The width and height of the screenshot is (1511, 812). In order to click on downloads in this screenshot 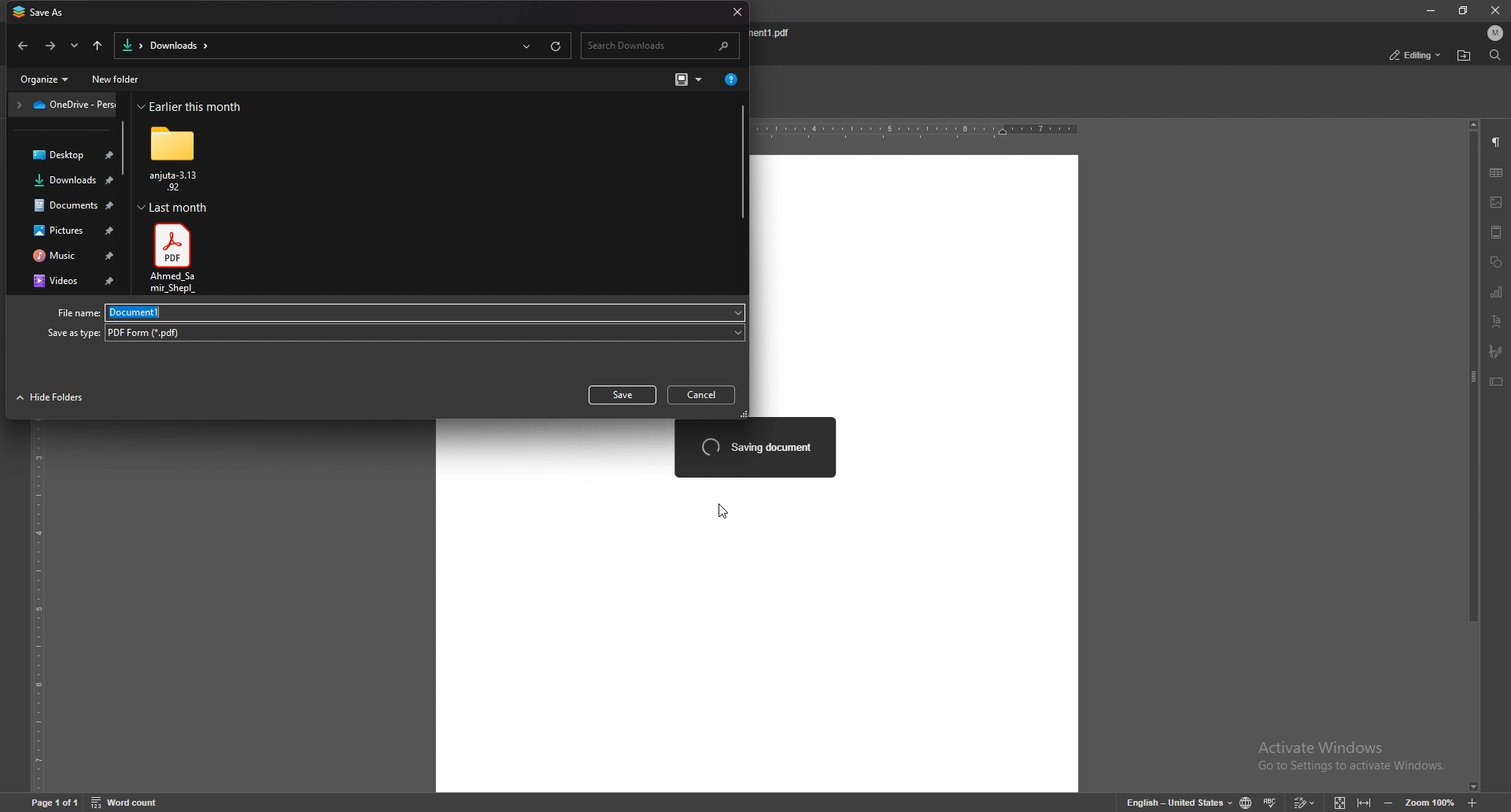, I will do `click(67, 182)`.